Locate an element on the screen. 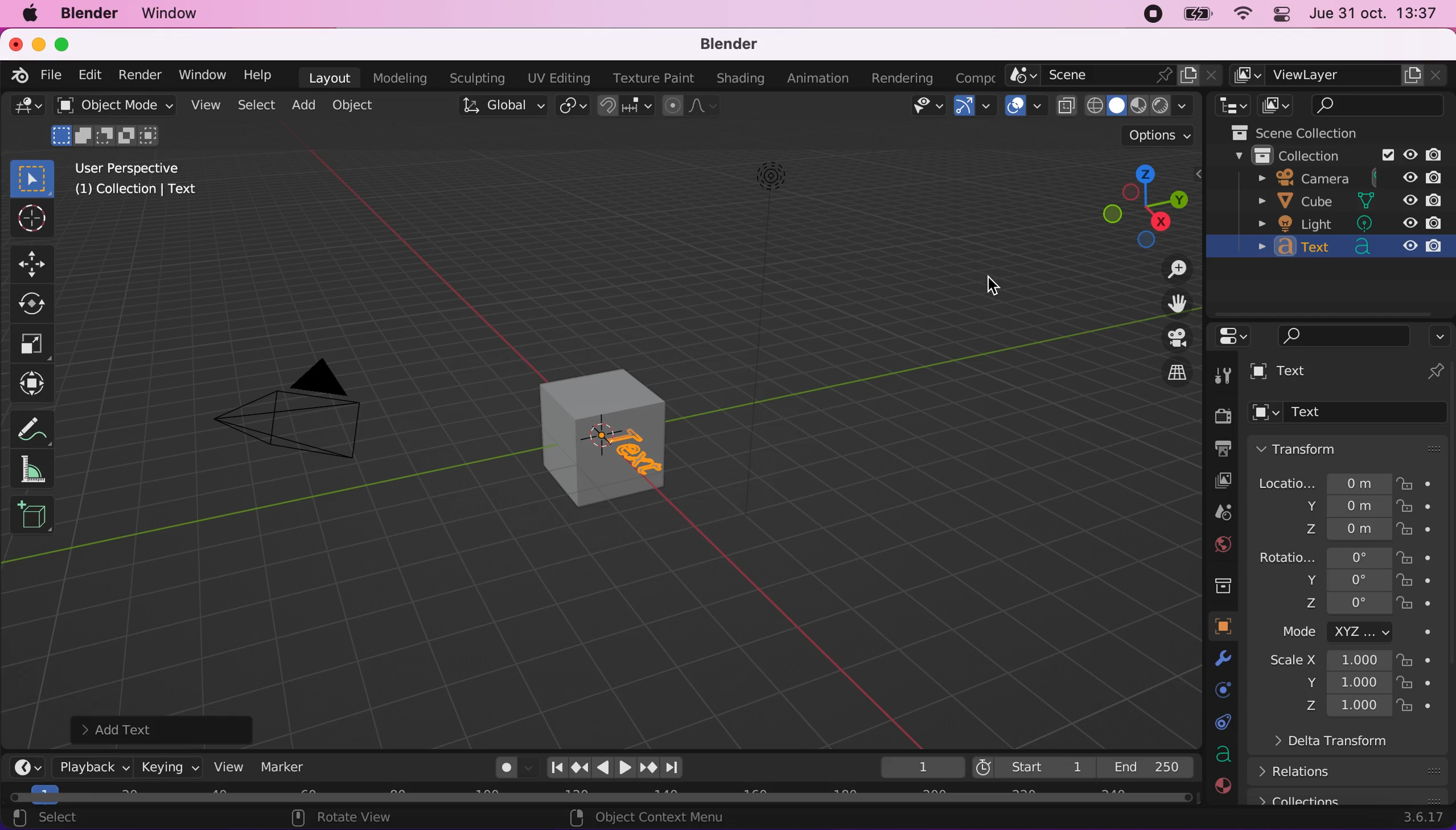 Image resolution: width=1456 pixels, height=830 pixels. text is located at coordinates (1292, 369).